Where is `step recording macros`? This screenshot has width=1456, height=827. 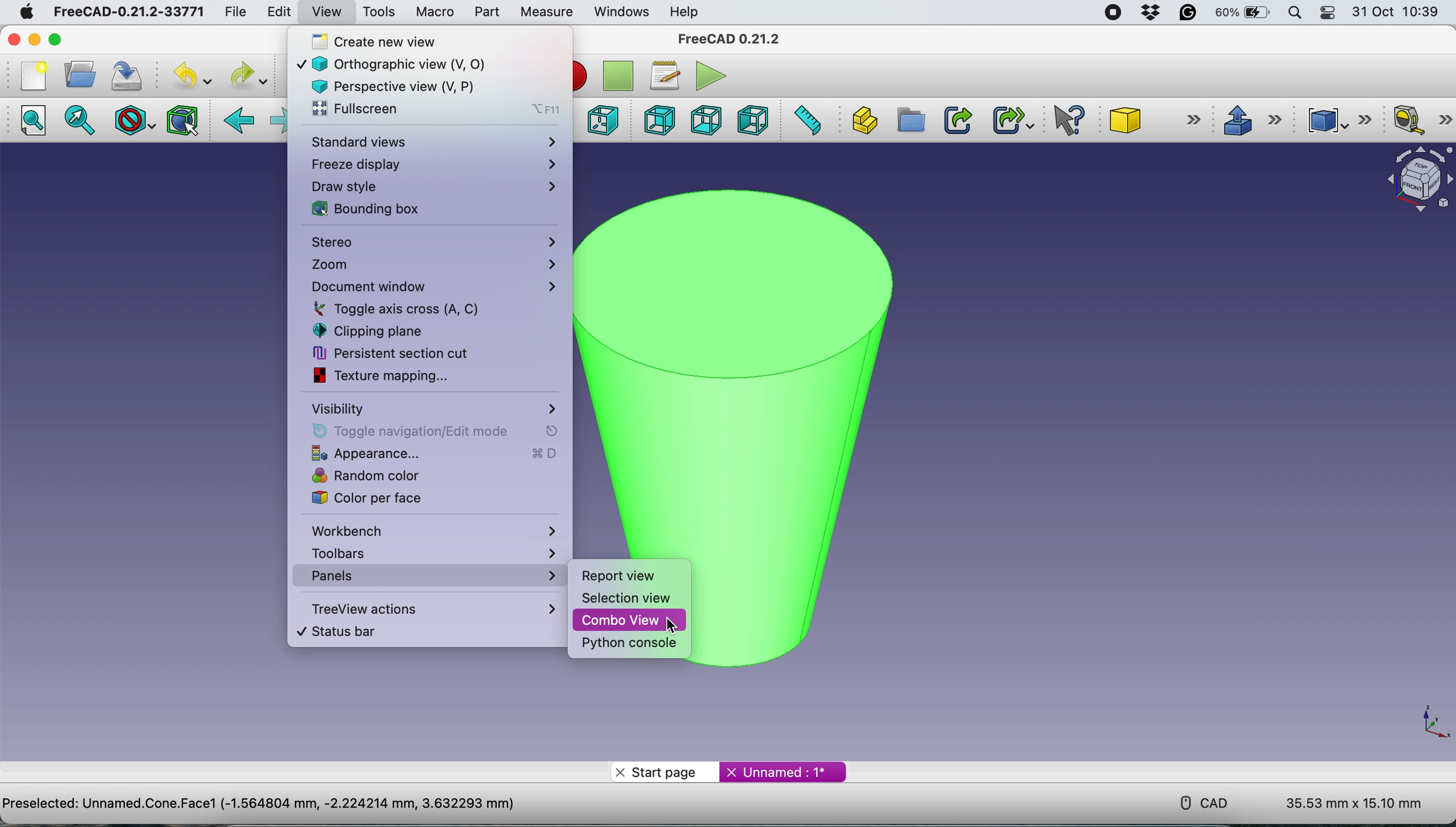
step recording macros is located at coordinates (618, 77).